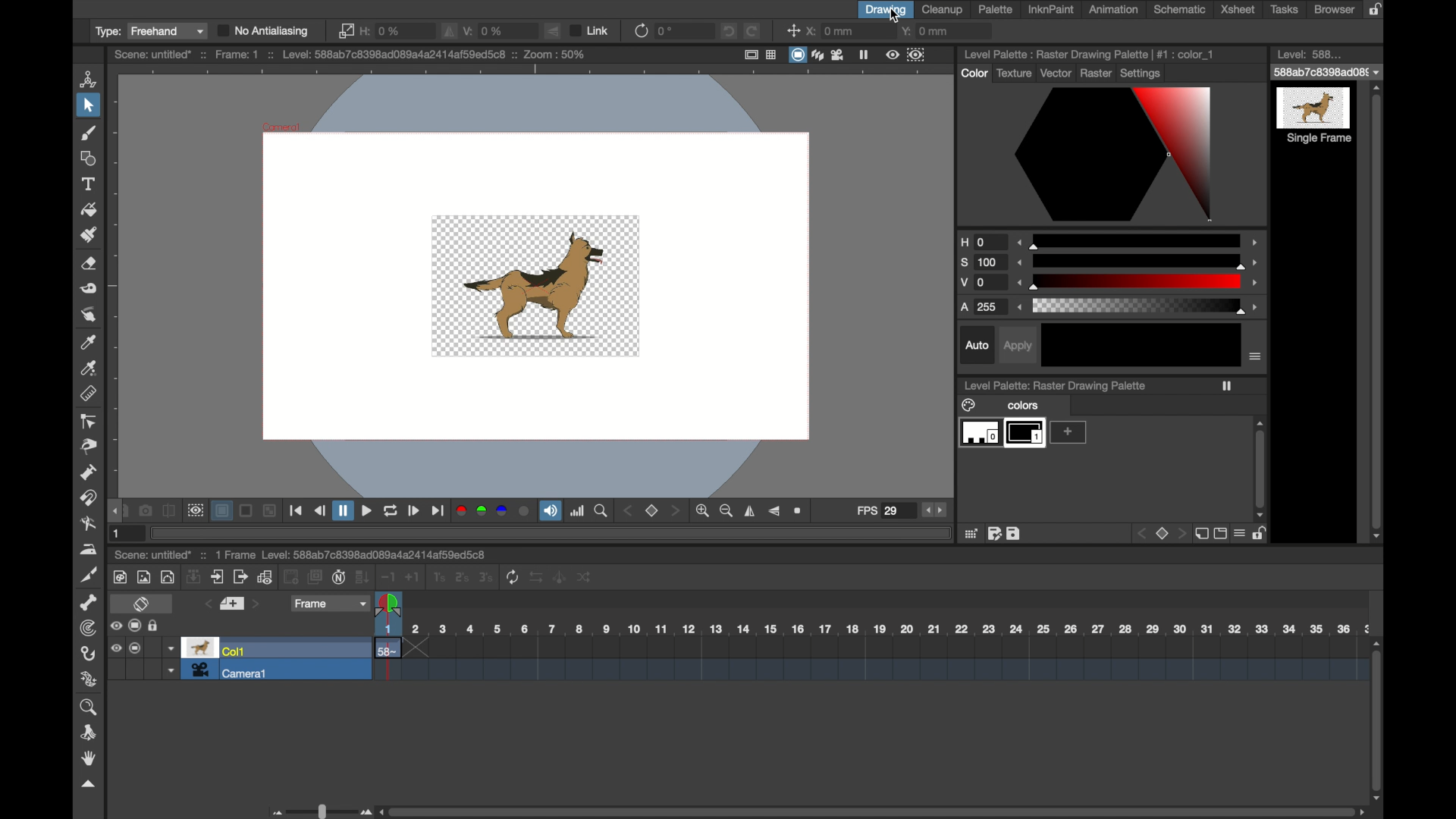 The width and height of the screenshot is (1456, 819). Describe the element at coordinates (263, 30) in the screenshot. I see `no antialiasing` at that location.